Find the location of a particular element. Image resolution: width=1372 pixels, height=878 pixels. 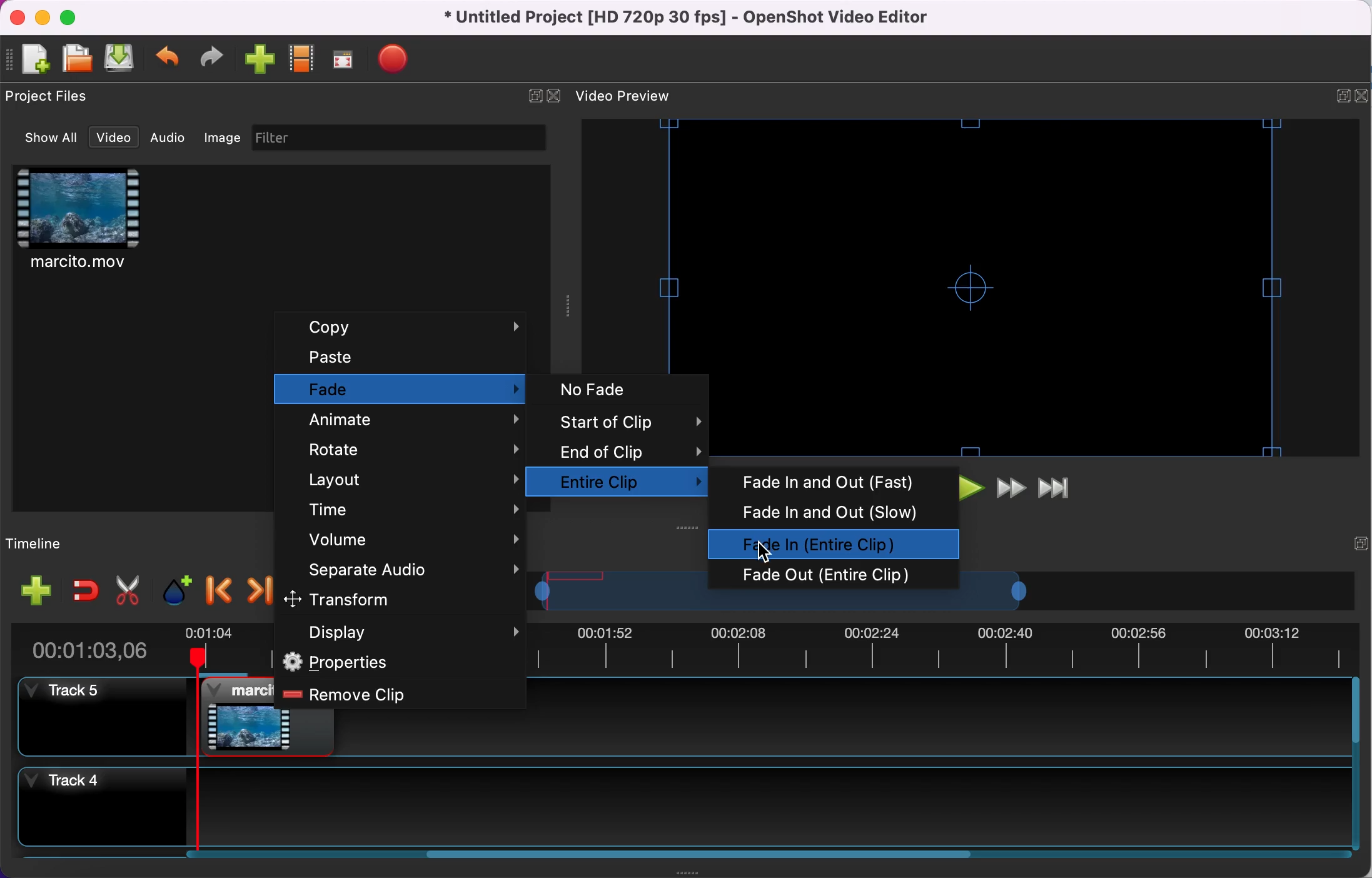

close is located at coordinates (557, 97).